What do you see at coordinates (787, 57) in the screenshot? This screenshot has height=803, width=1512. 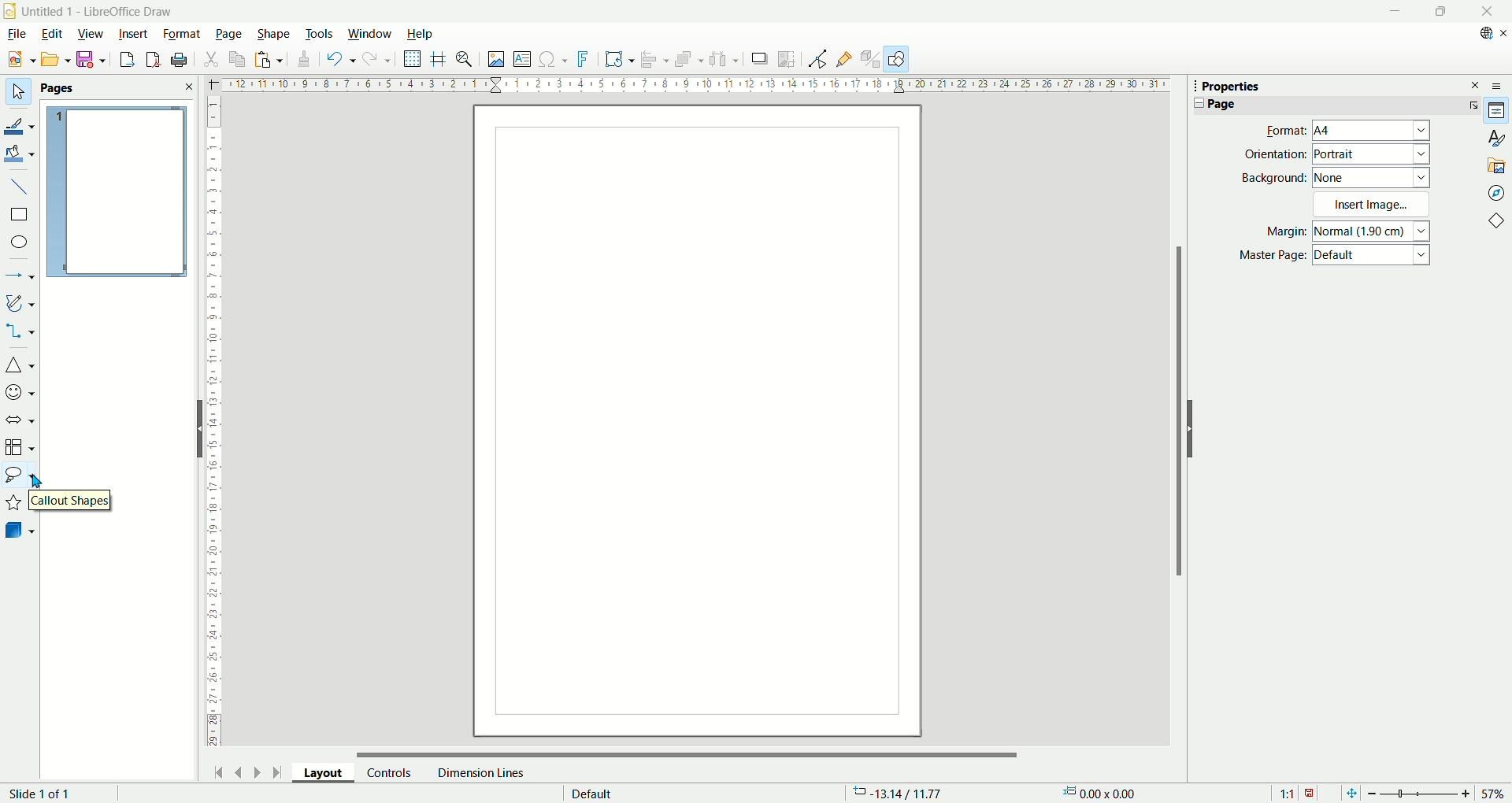 I see `crop image` at bounding box center [787, 57].